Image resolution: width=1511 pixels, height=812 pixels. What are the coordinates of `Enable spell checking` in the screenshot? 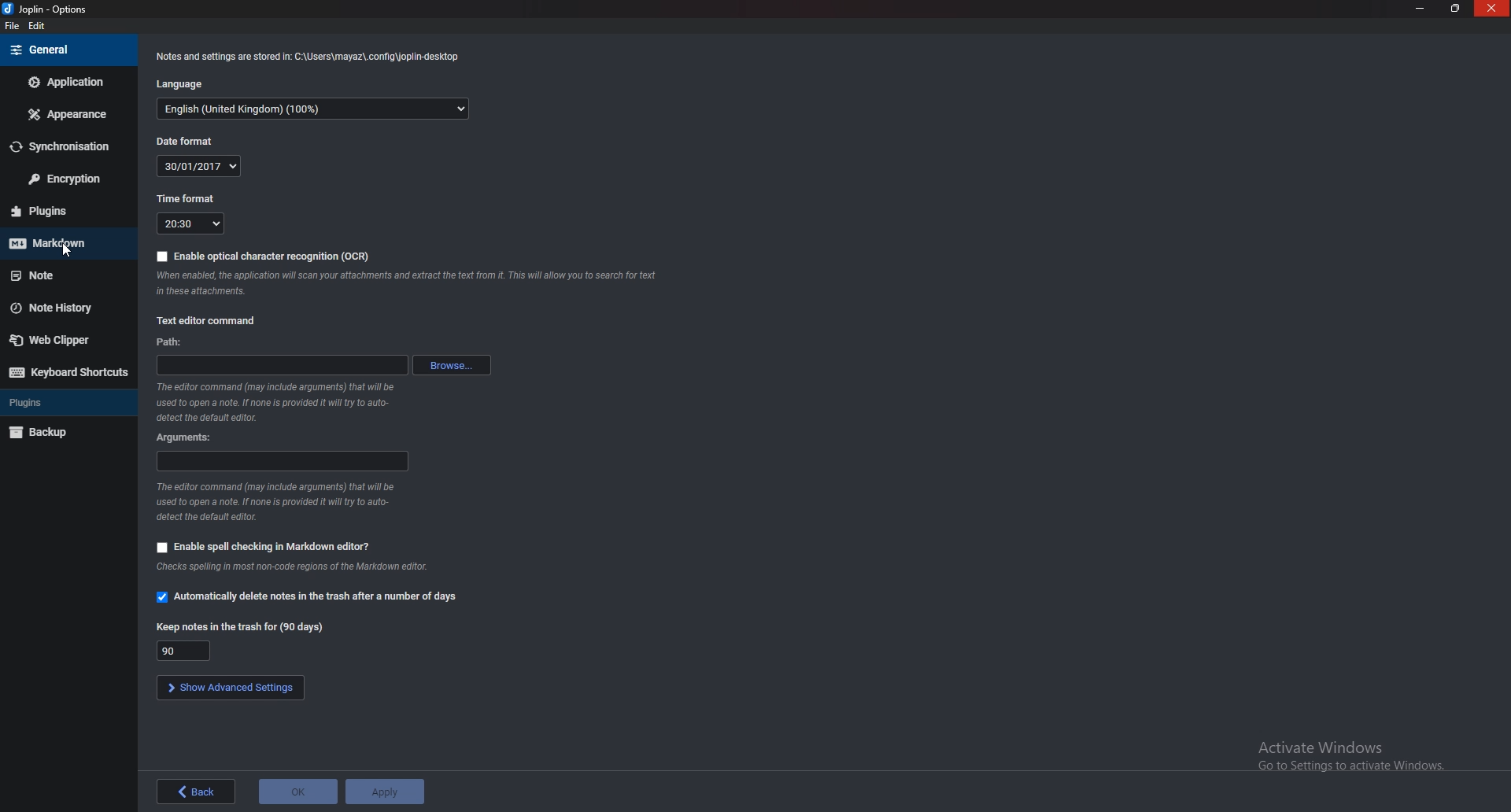 It's located at (264, 546).